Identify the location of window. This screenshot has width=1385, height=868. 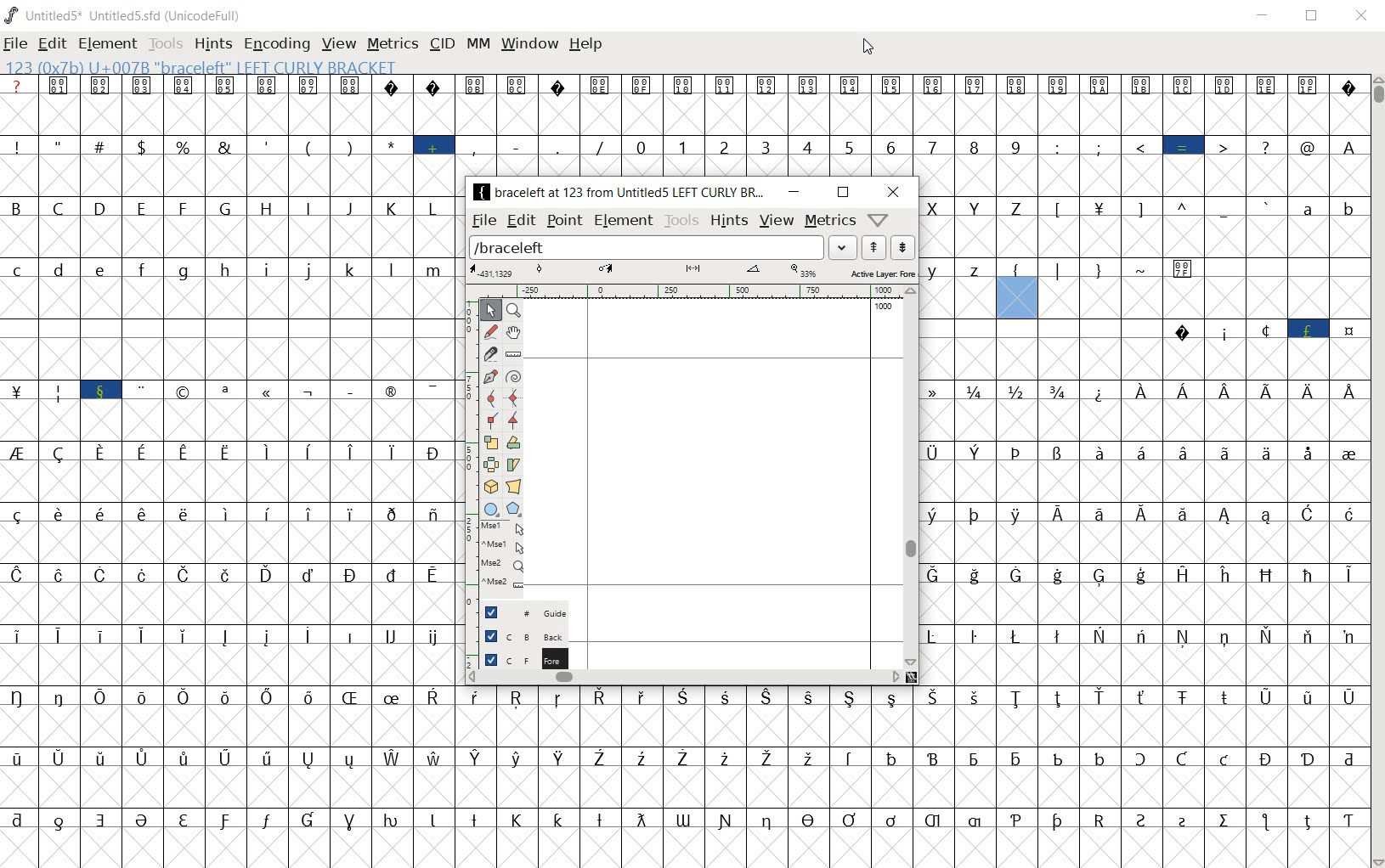
(529, 44).